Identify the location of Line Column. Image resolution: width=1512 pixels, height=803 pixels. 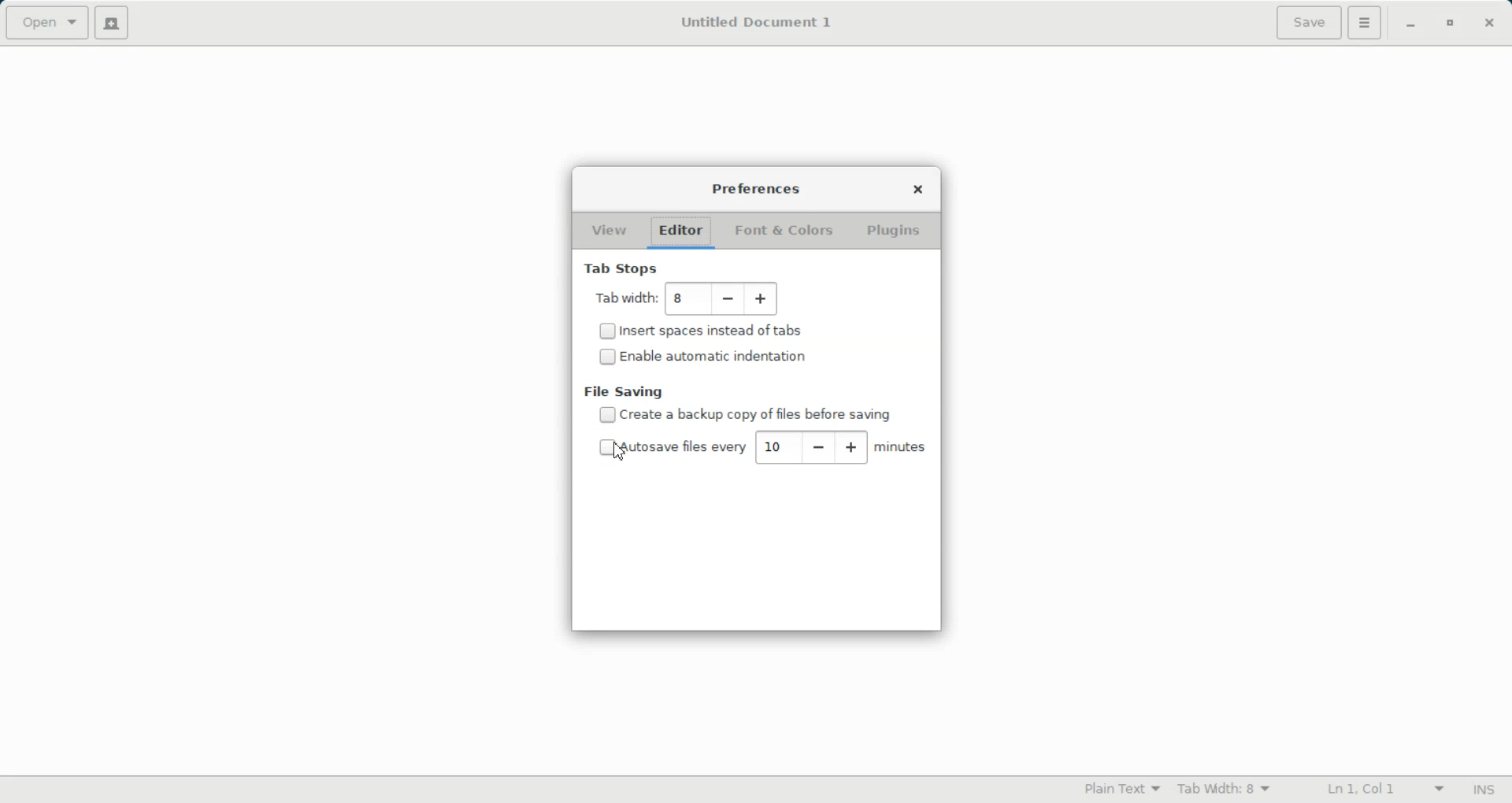
(1381, 790).